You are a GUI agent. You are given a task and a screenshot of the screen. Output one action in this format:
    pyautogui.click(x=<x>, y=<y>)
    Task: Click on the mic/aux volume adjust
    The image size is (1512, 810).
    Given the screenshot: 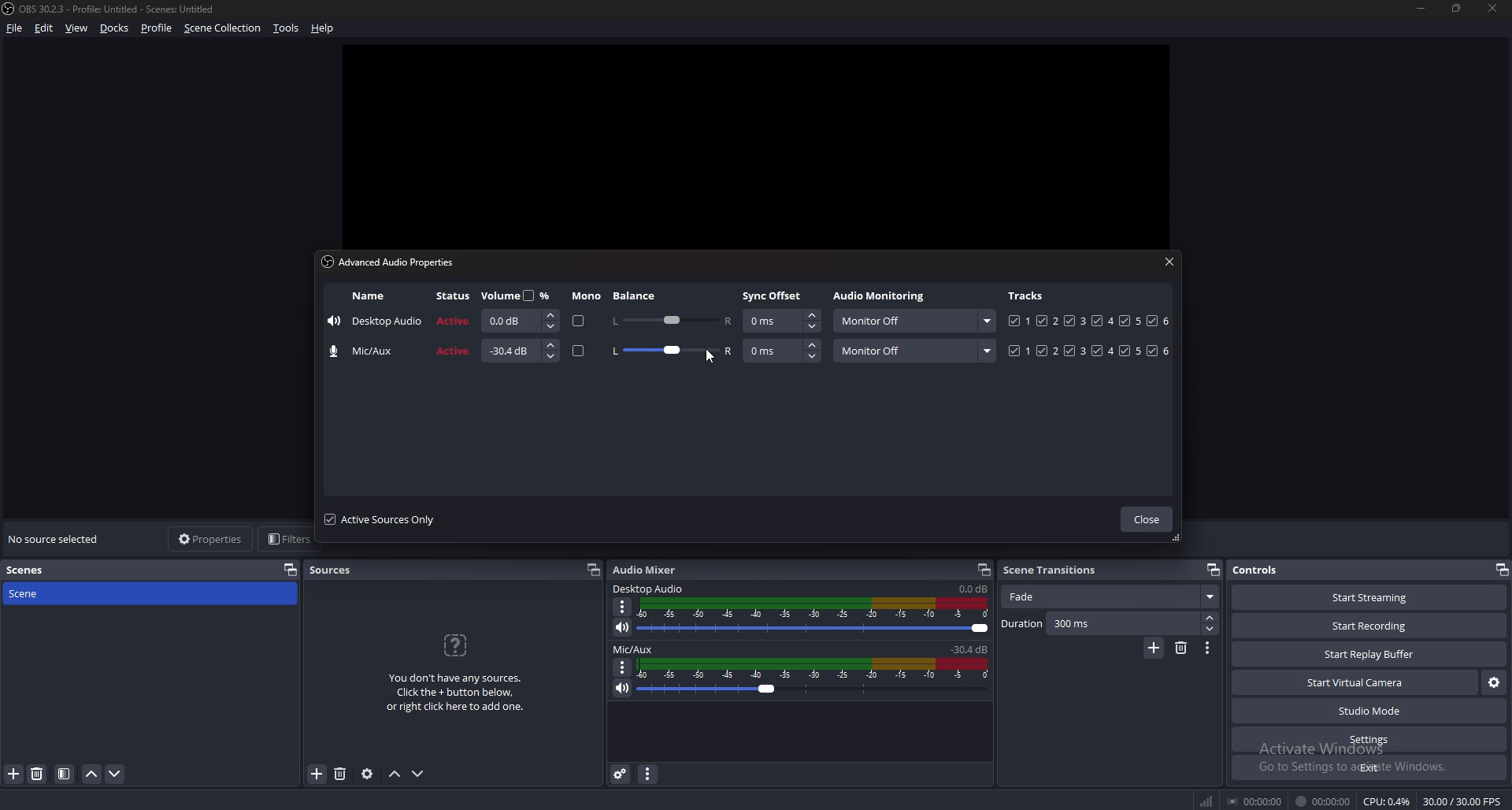 What is the action you would take?
    pyautogui.click(x=815, y=678)
    